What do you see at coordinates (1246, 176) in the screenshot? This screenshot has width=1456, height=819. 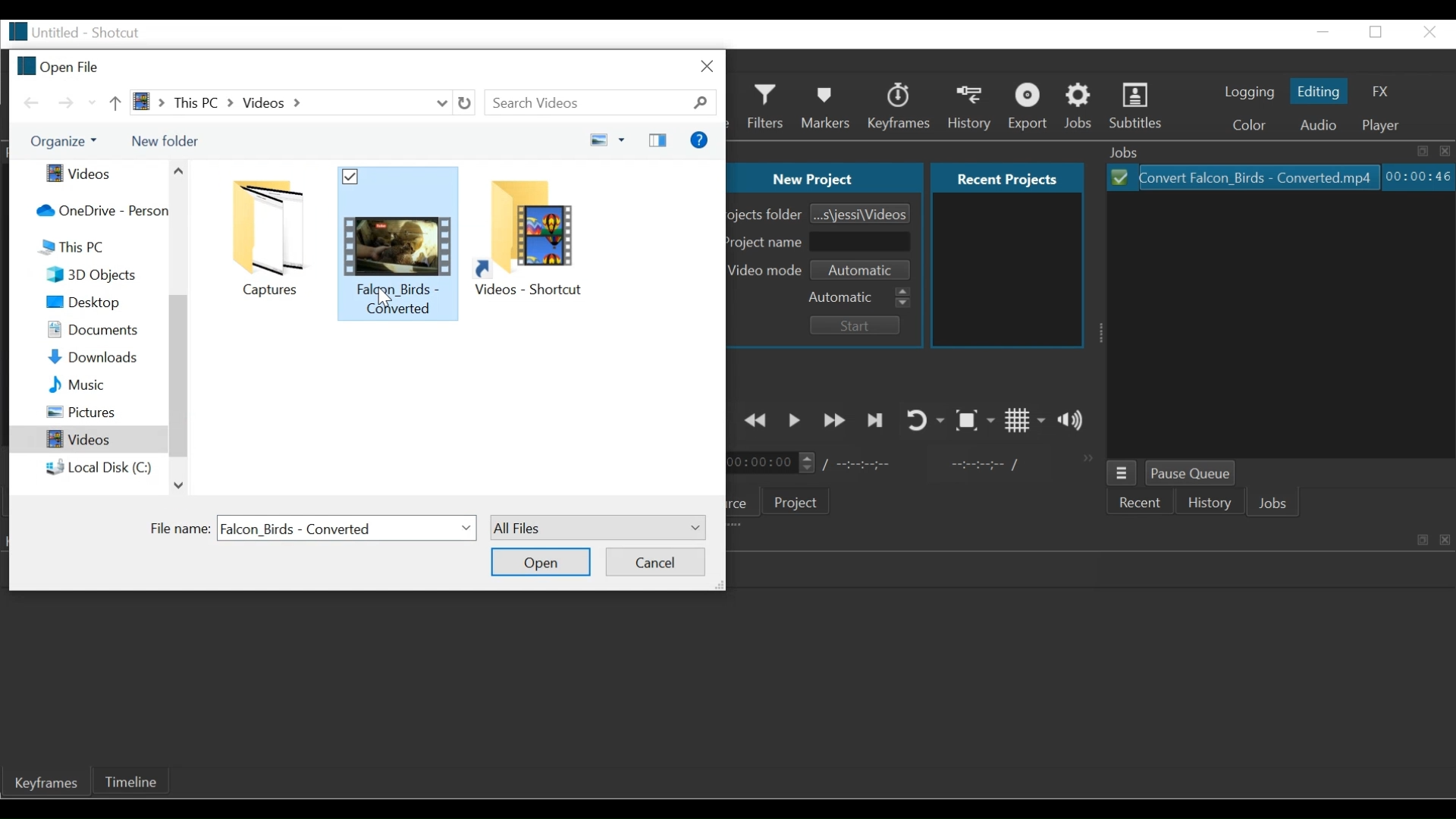 I see `File` at bounding box center [1246, 176].